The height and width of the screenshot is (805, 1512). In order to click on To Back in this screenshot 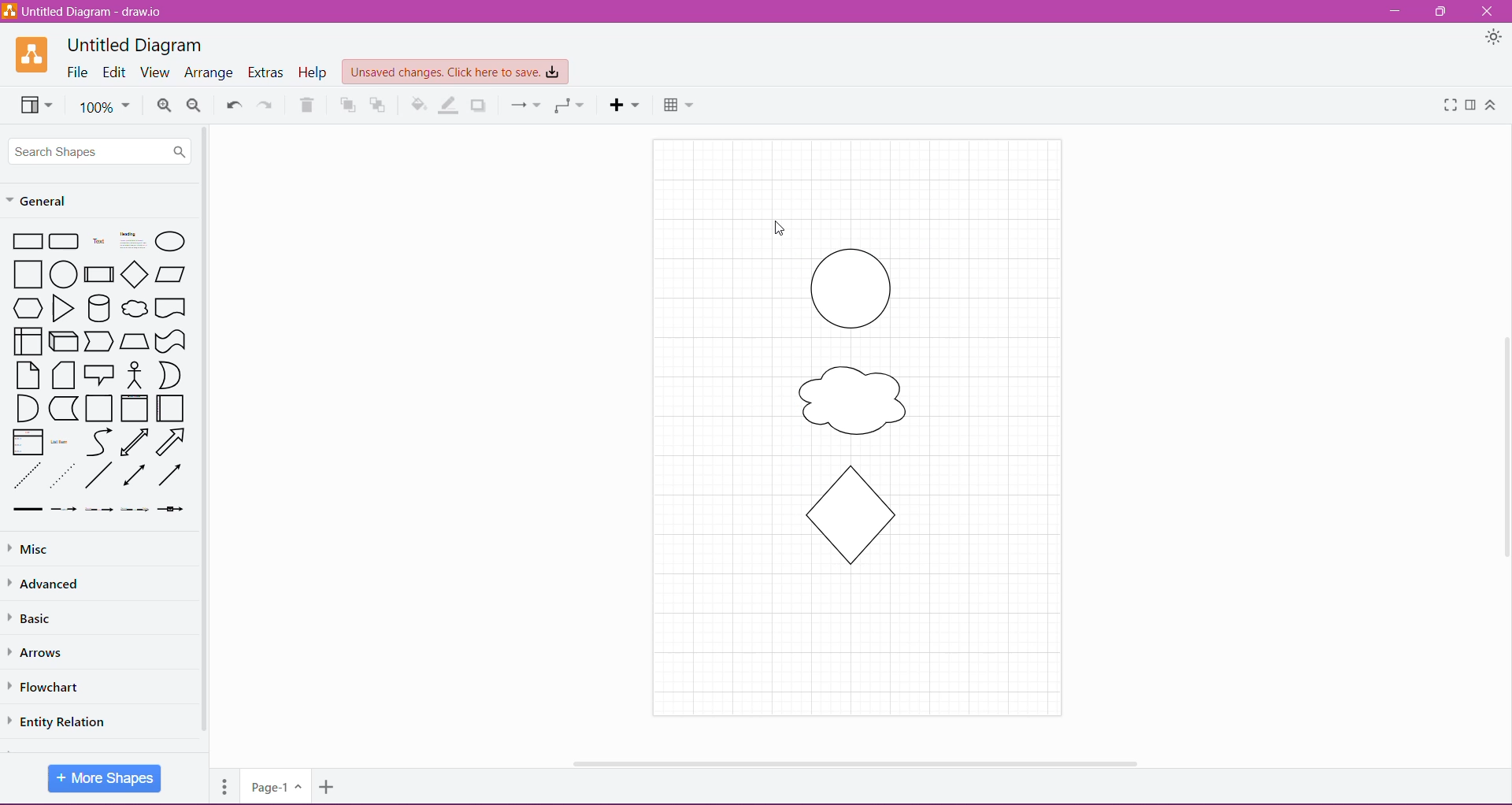, I will do `click(380, 105)`.